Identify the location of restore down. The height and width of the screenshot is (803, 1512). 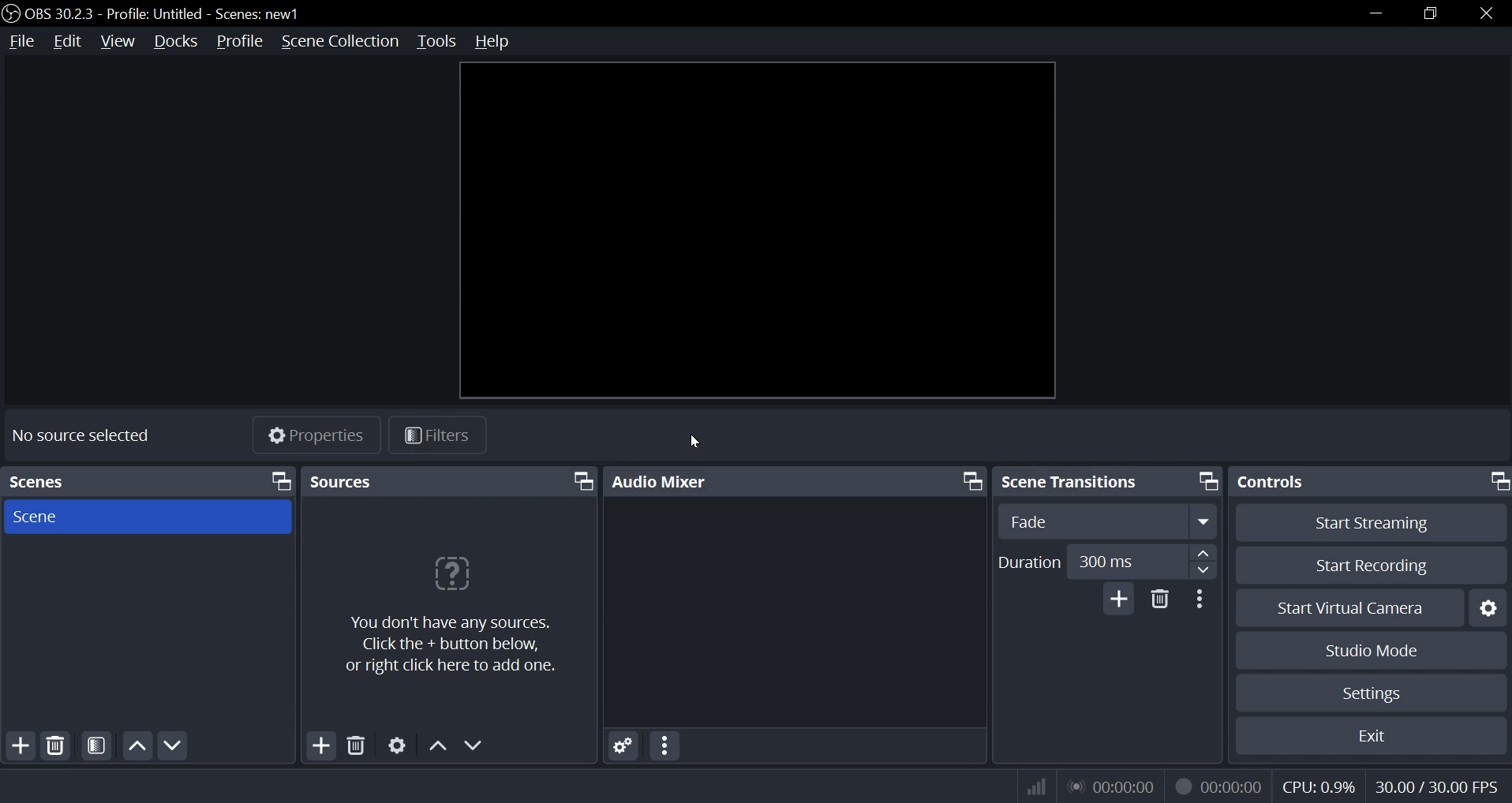
(1435, 11).